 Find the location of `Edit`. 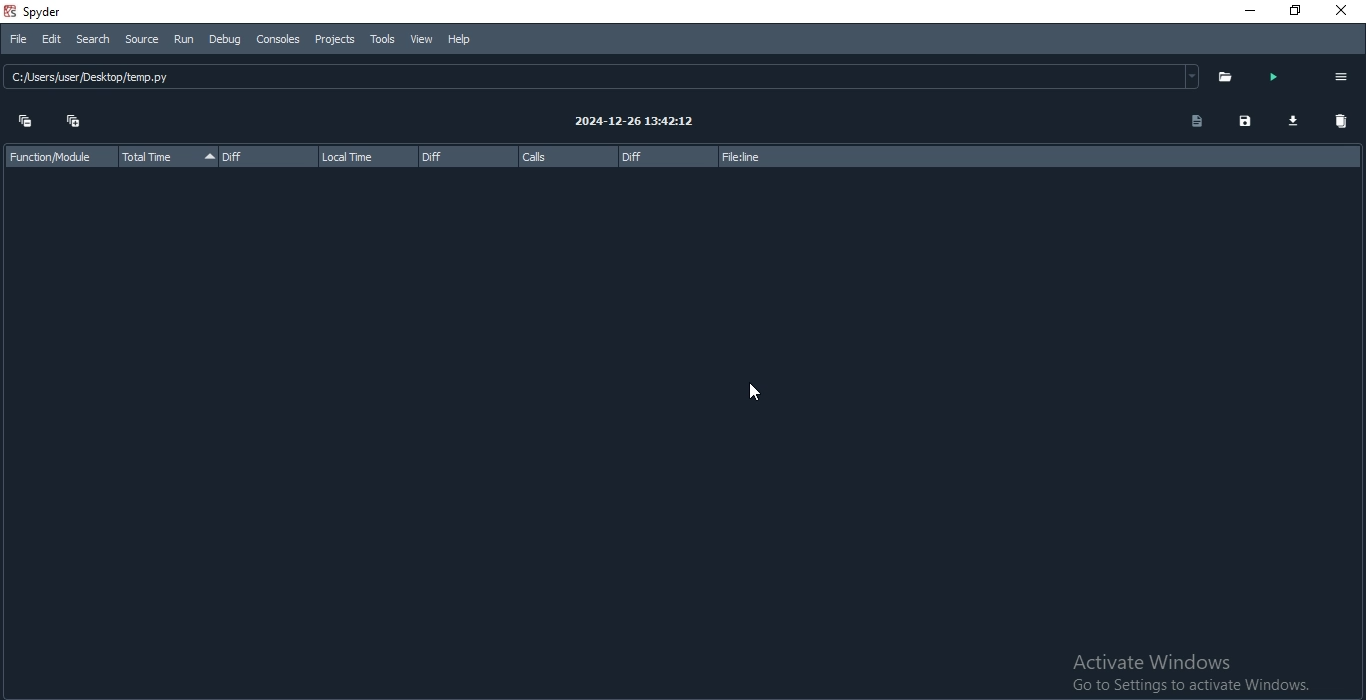

Edit is located at coordinates (53, 41).